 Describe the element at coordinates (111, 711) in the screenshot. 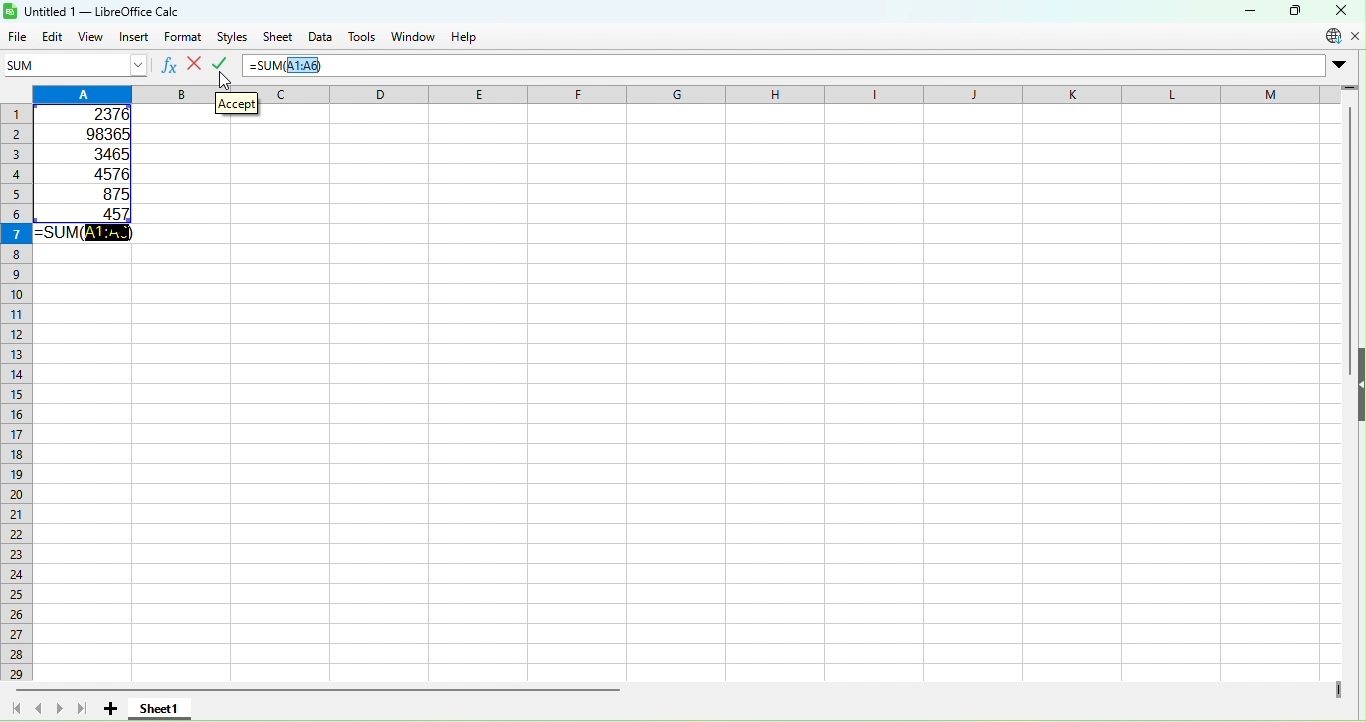

I see `Add new sheet` at that location.